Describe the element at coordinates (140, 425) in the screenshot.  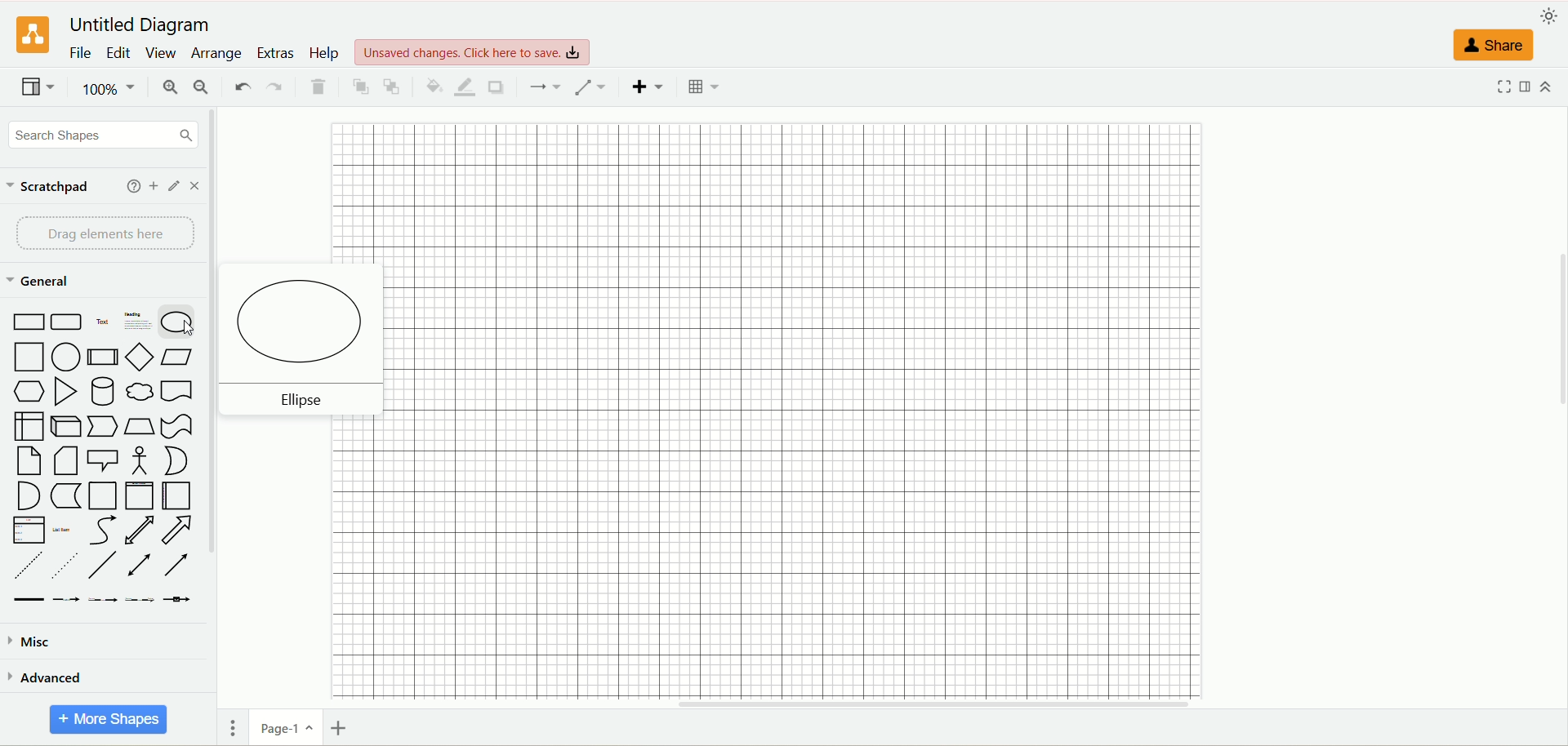
I see `trapezoid` at that location.